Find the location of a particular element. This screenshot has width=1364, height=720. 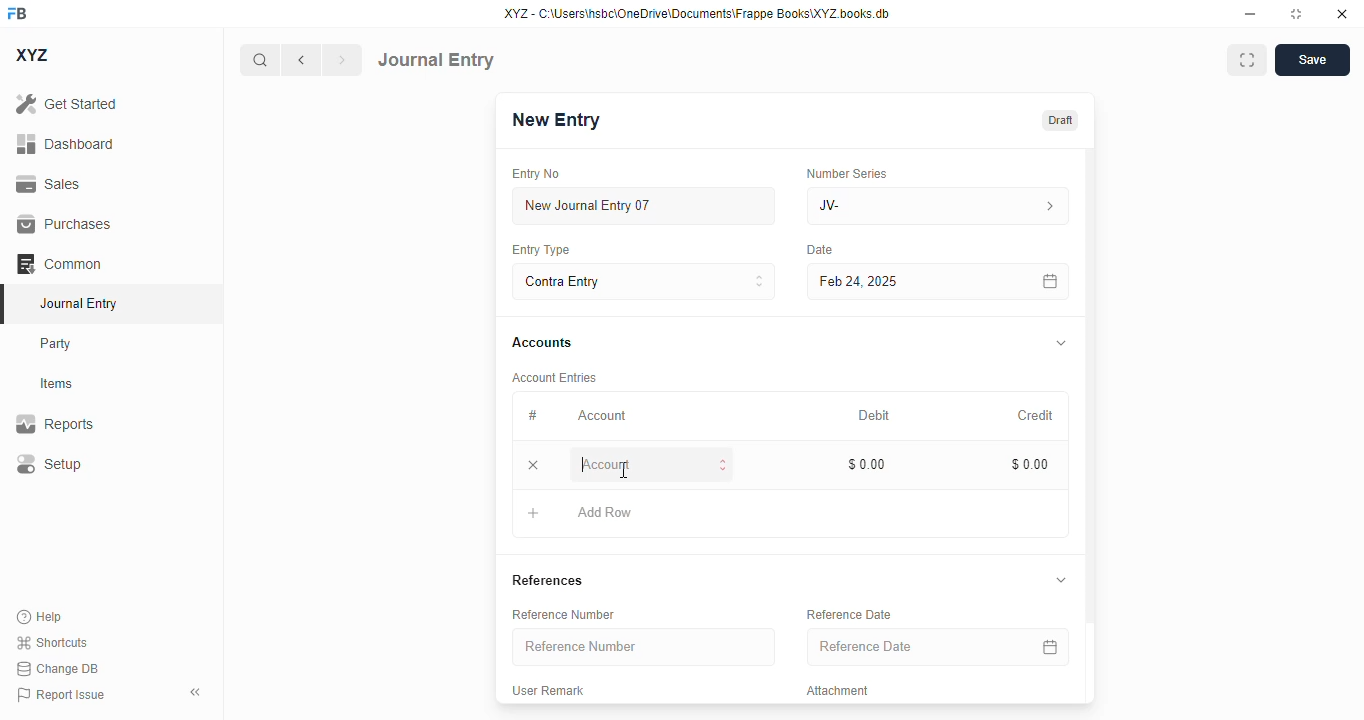

toggle sidebar is located at coordinates (197, 692).